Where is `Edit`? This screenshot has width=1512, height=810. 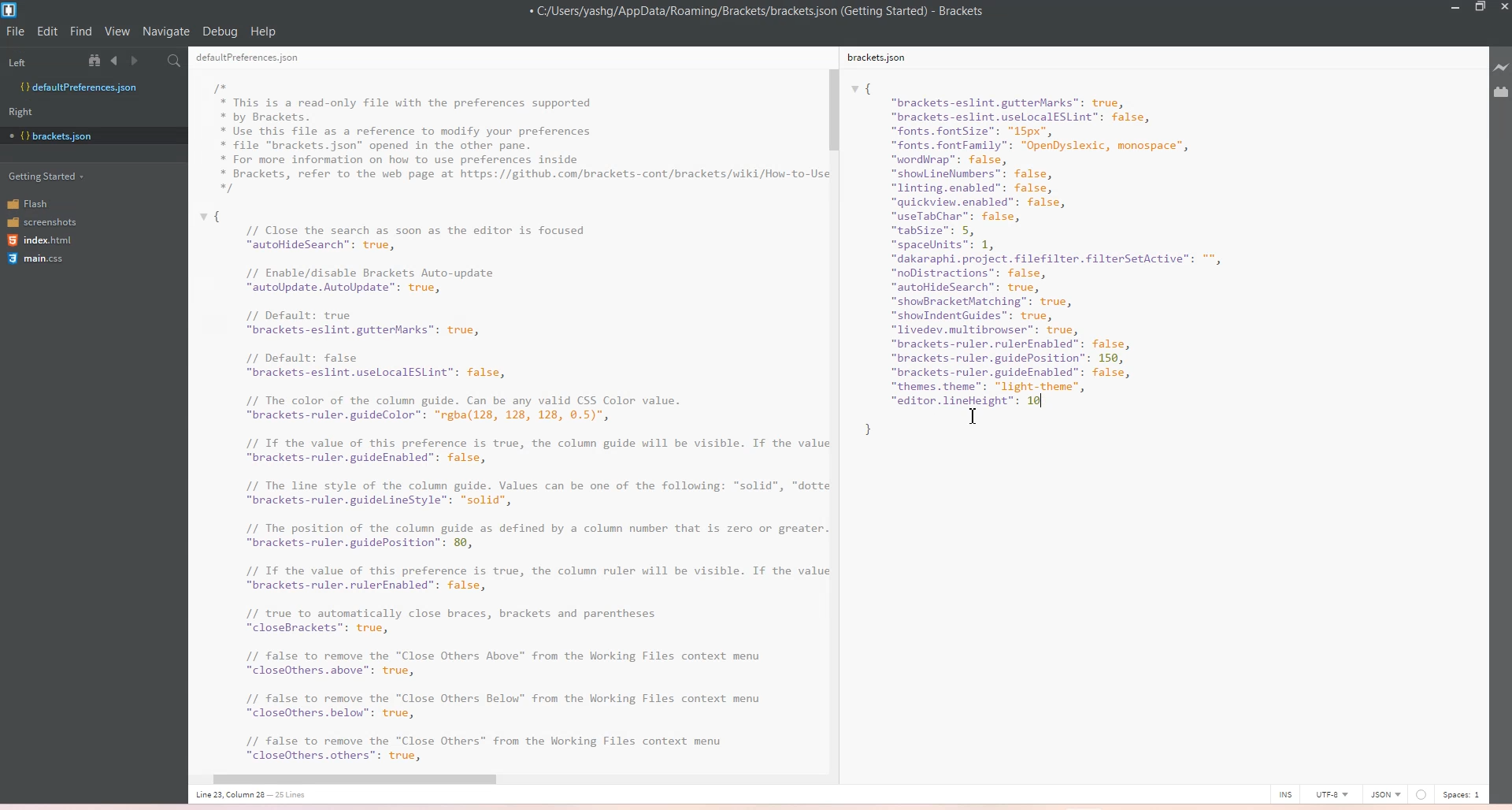
Edit is located at coordinates (49, 32).